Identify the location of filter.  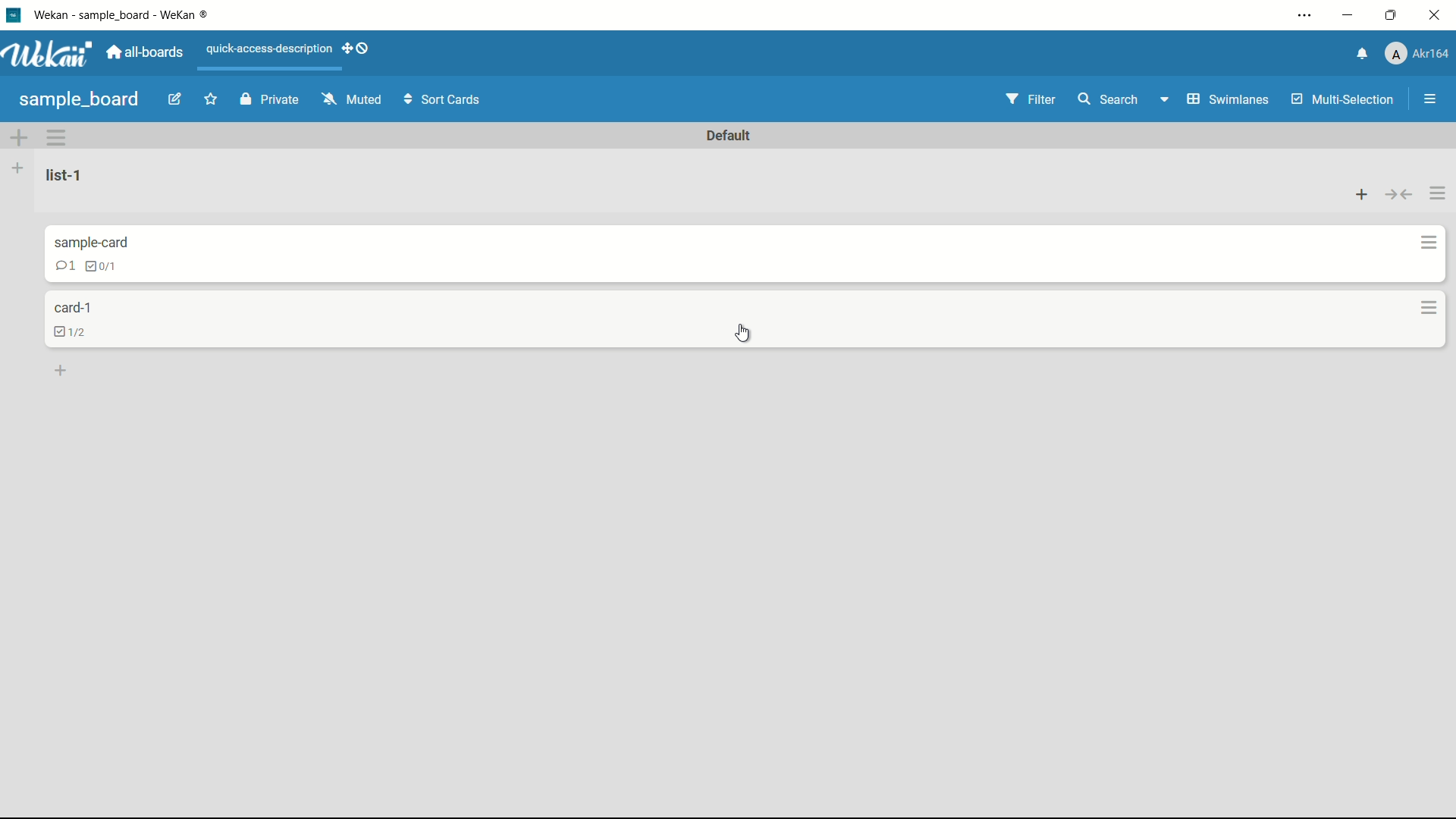
(1034, 99).